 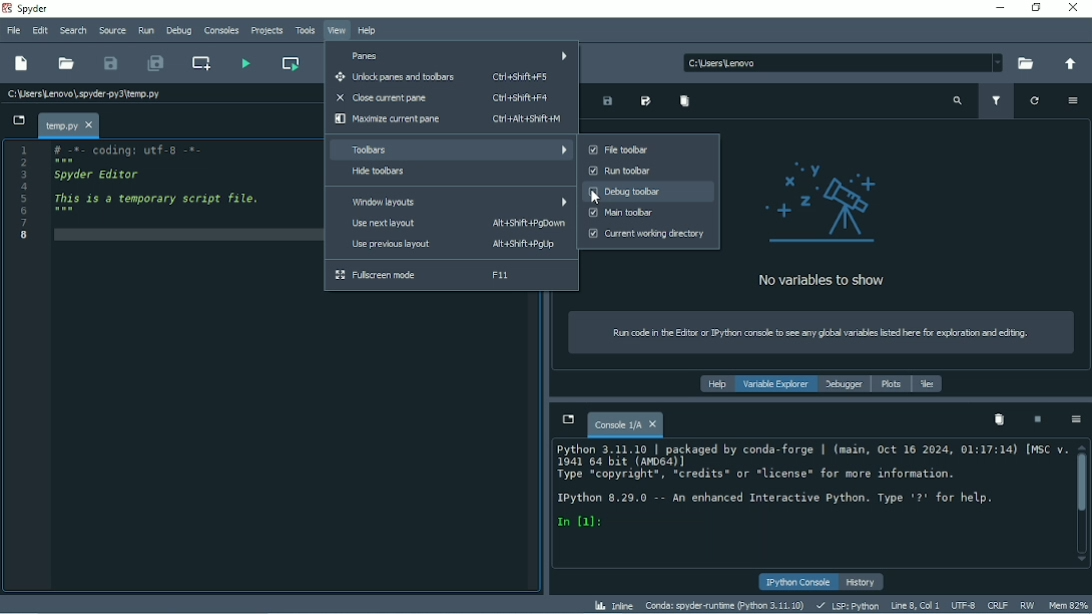 What do you see at coordinates (451, 223) in the screenshot?
I see `Use next layout` at bounding box center [451, 223].